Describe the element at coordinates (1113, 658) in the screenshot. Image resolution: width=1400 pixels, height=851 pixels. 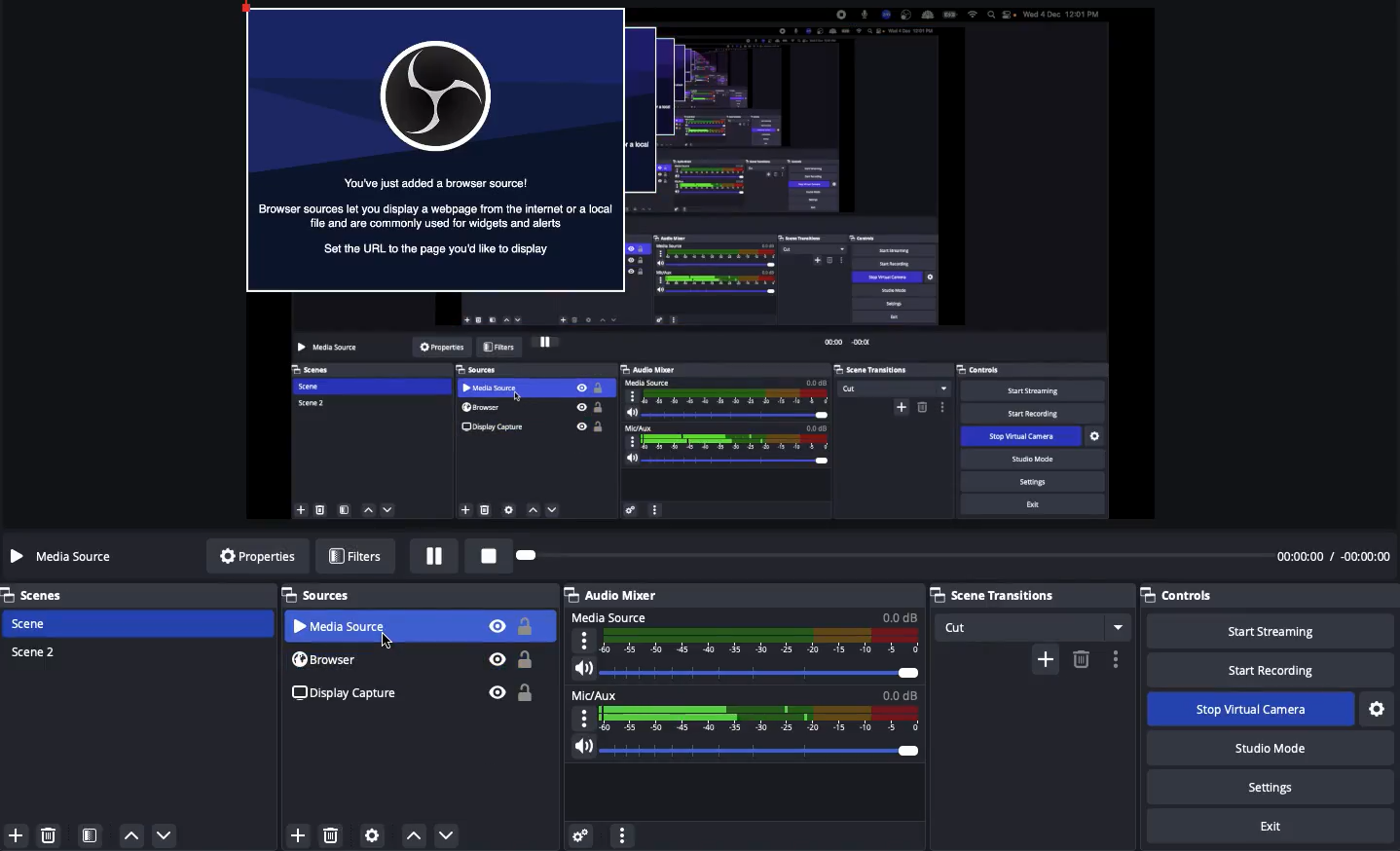
I see `Options` at that location.